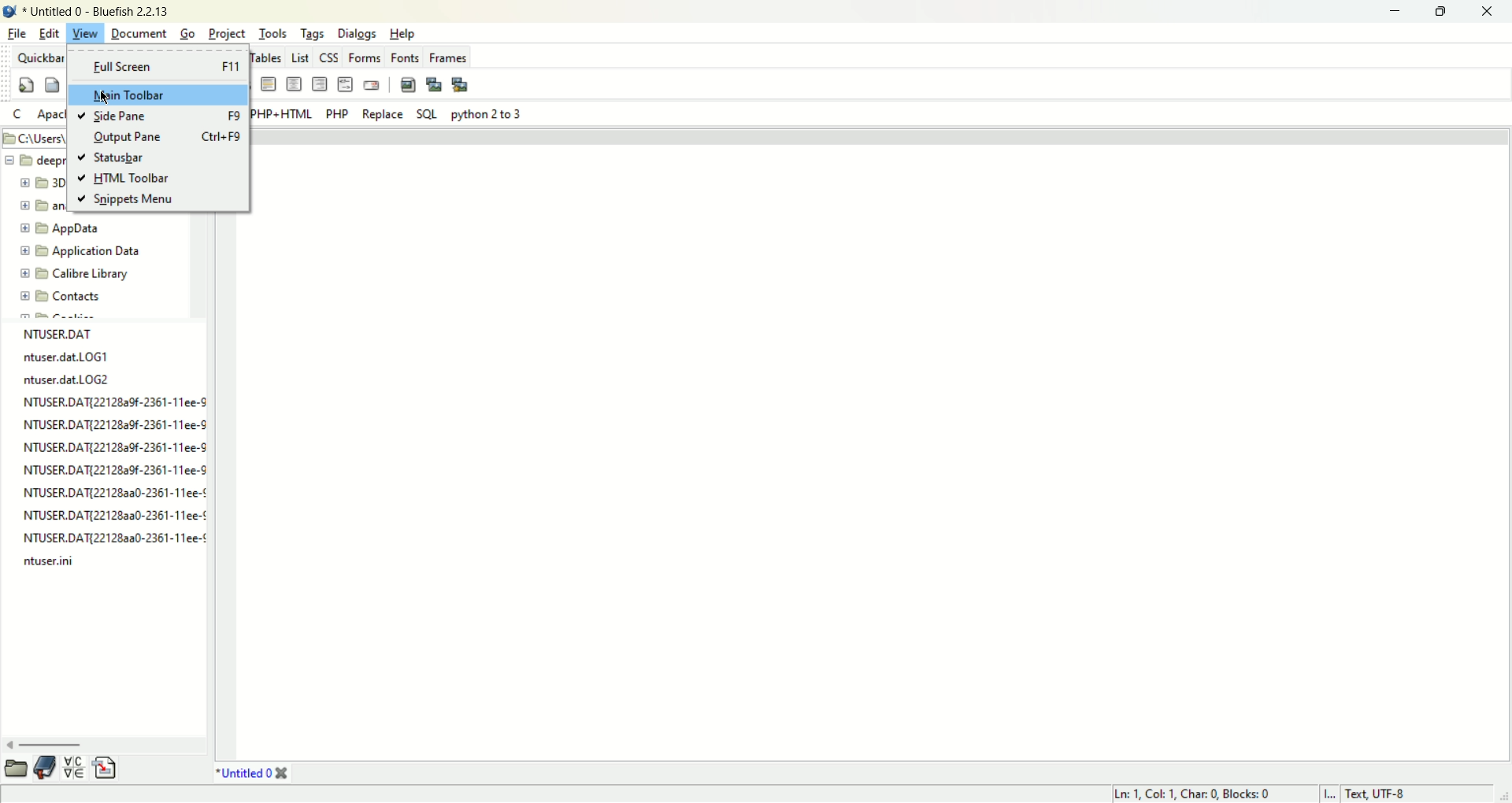  Describe the element at coordinates (17, 33) in the screenshot. I see `file` at that location.